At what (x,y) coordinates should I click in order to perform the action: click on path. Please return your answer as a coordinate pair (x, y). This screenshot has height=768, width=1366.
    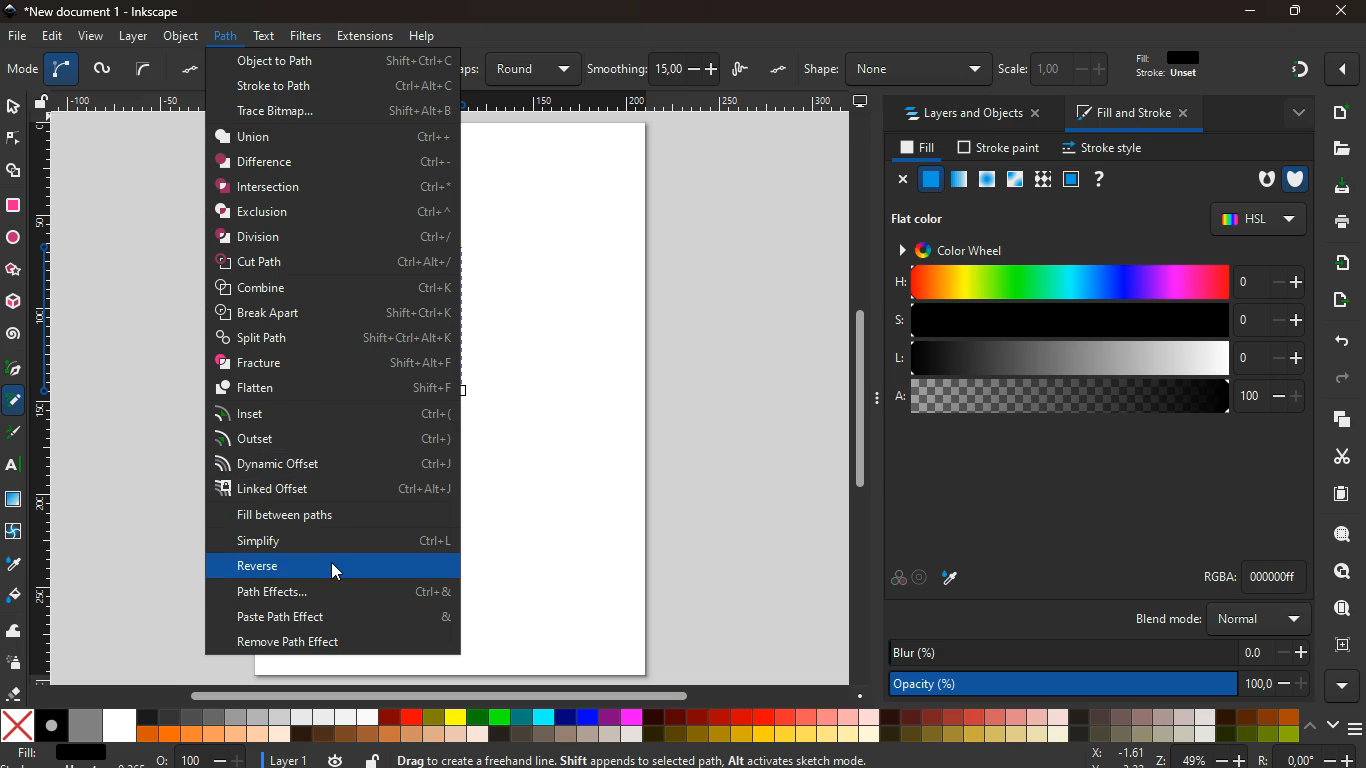
    Looking at the image, I should click on (225, 36).